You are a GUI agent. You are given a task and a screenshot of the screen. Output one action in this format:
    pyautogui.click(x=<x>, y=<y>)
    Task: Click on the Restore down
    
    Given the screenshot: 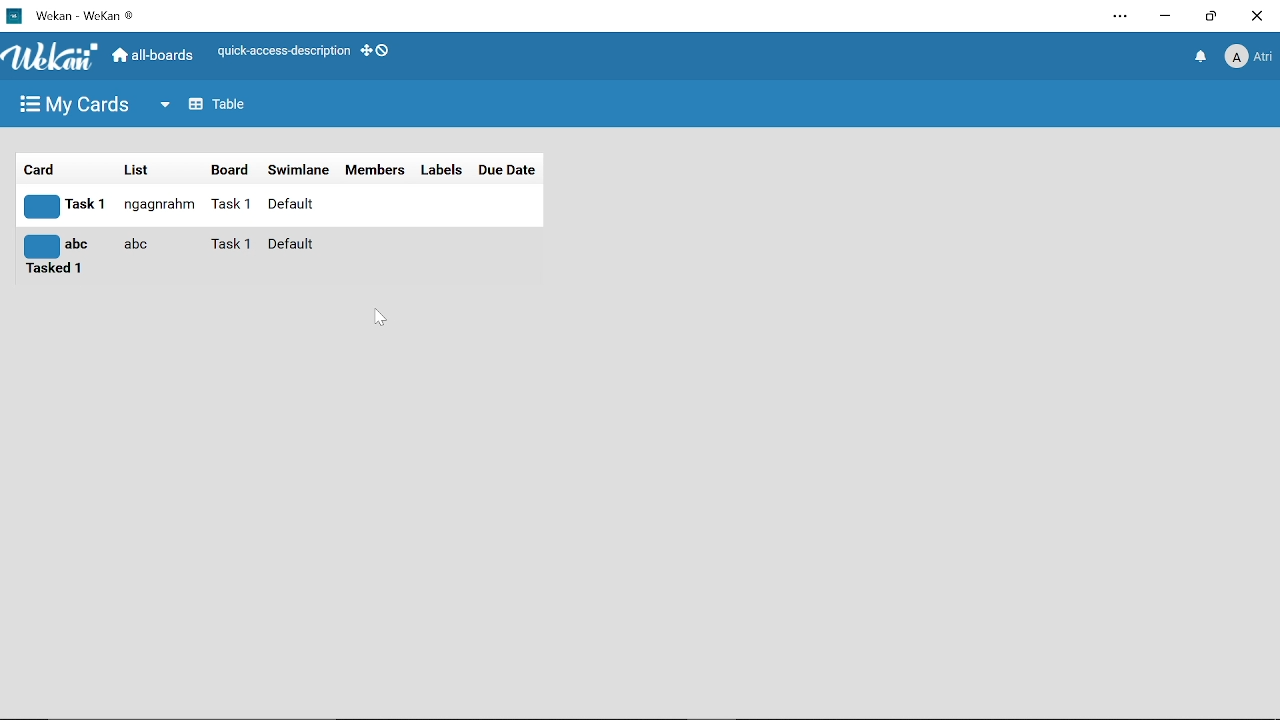 What is the action you would take?
    pyautogui.click(x=1210, y=18)
    